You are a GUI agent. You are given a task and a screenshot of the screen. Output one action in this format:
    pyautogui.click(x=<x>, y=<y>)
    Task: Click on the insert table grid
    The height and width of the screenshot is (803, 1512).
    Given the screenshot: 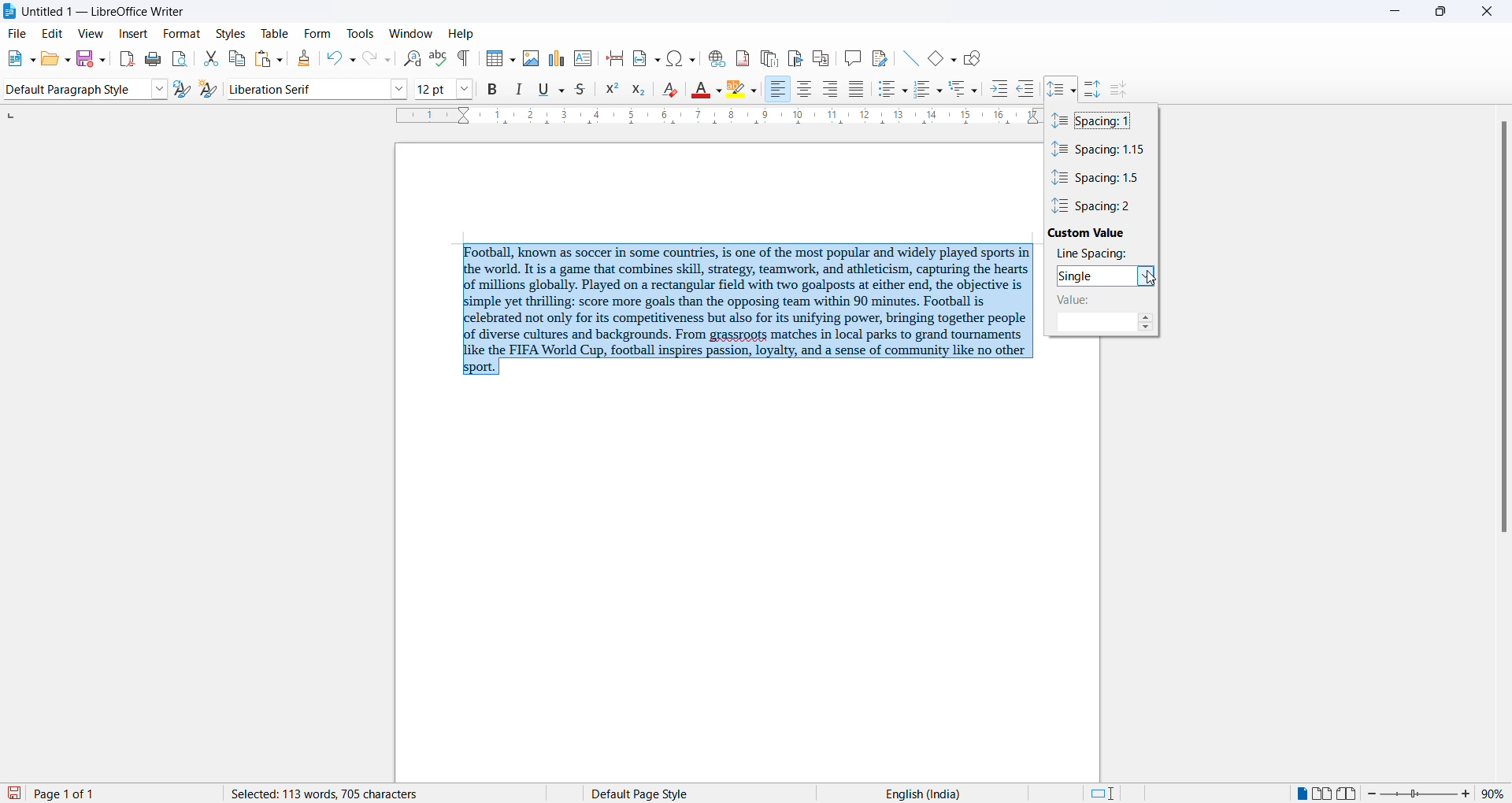 What is the action you would take?
    pyautogui.click(x=512, y=58)
    